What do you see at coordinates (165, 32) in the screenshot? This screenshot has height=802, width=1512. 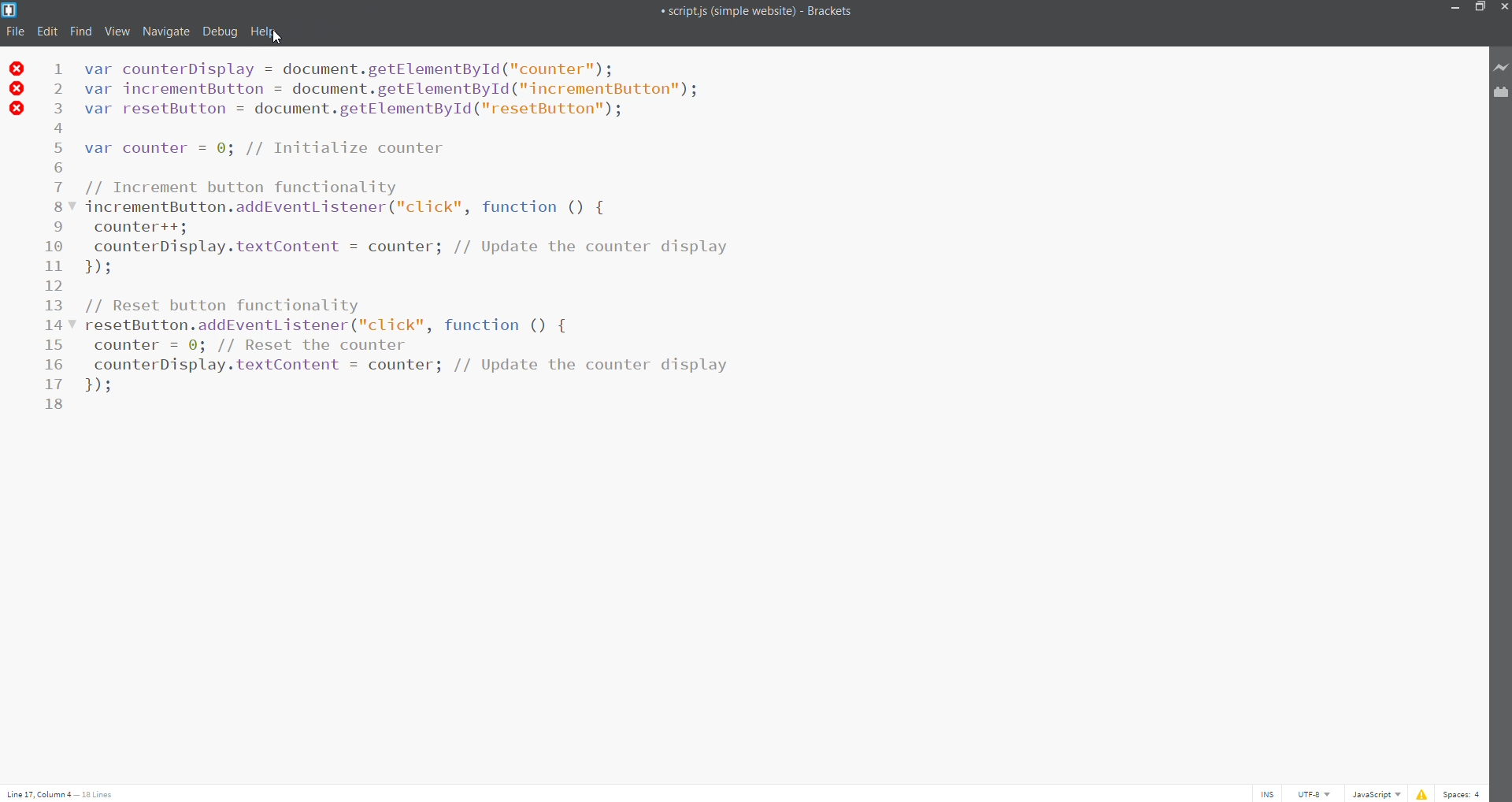 I see `navigate` at bounding box center [165, 32].